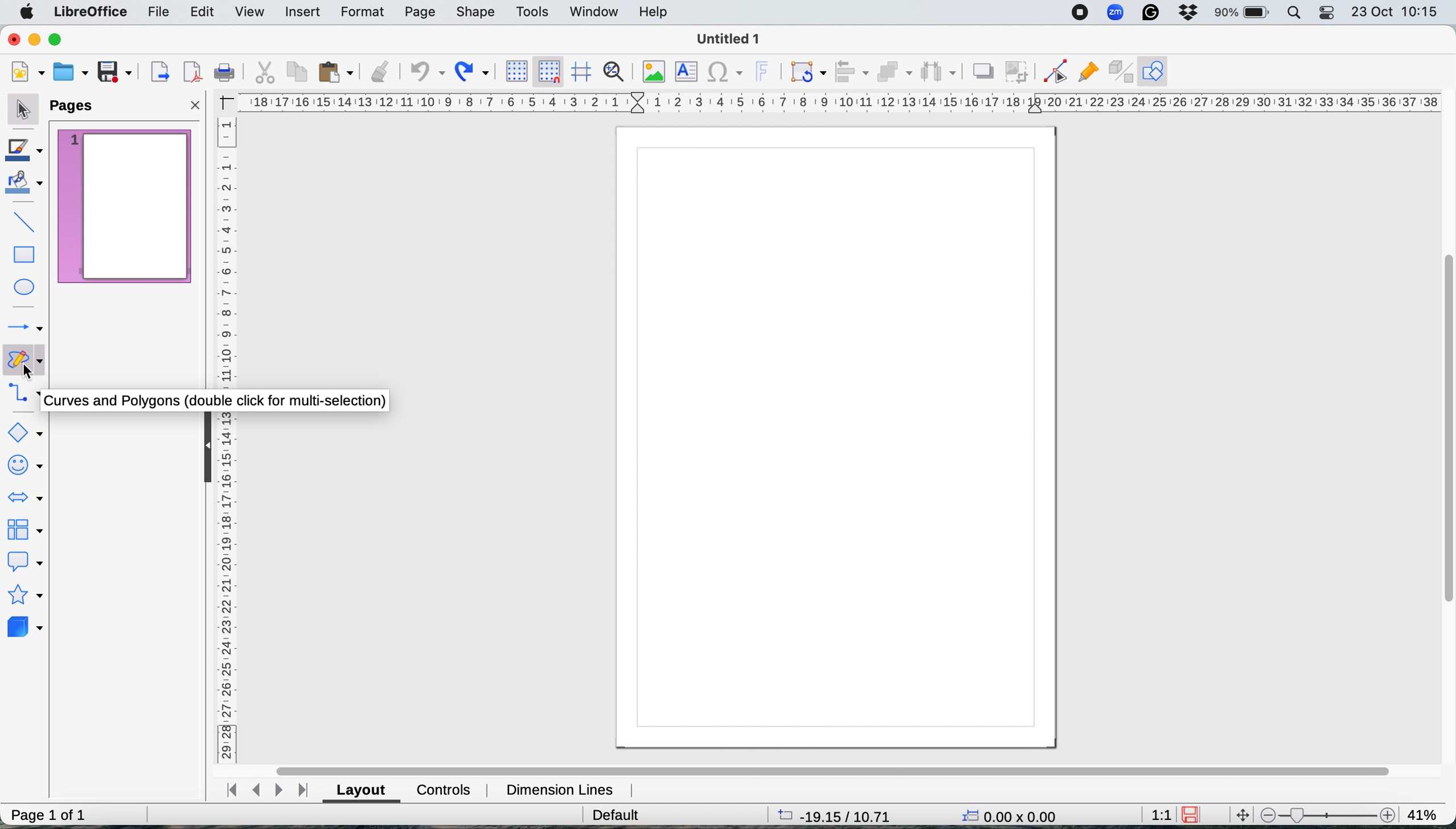 The height and width of the screenshot is (829, 1456). I want to click on controls, so click(444, 791).